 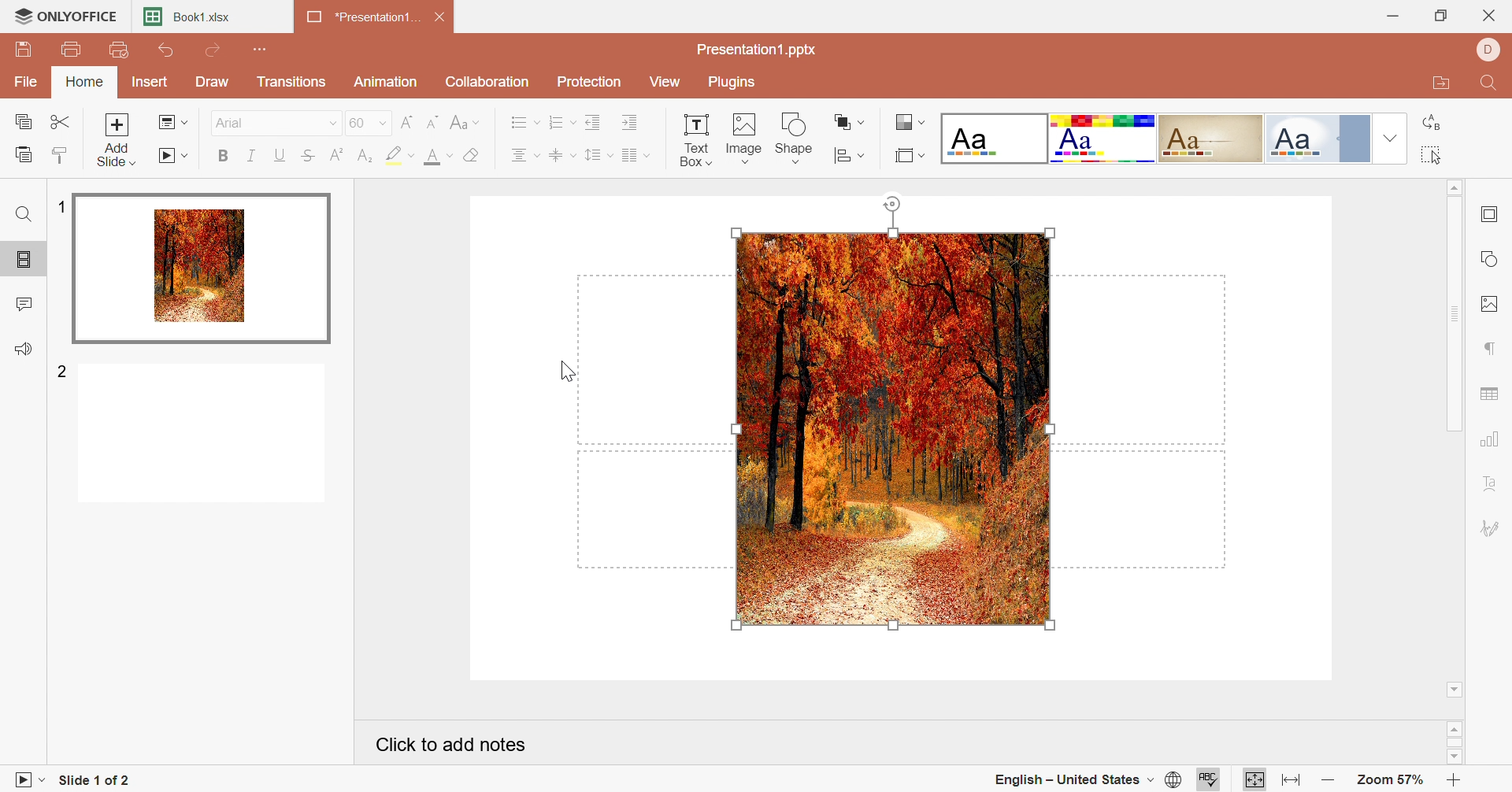 I want to click on Fit to slide, so click(x=1254, y=779).